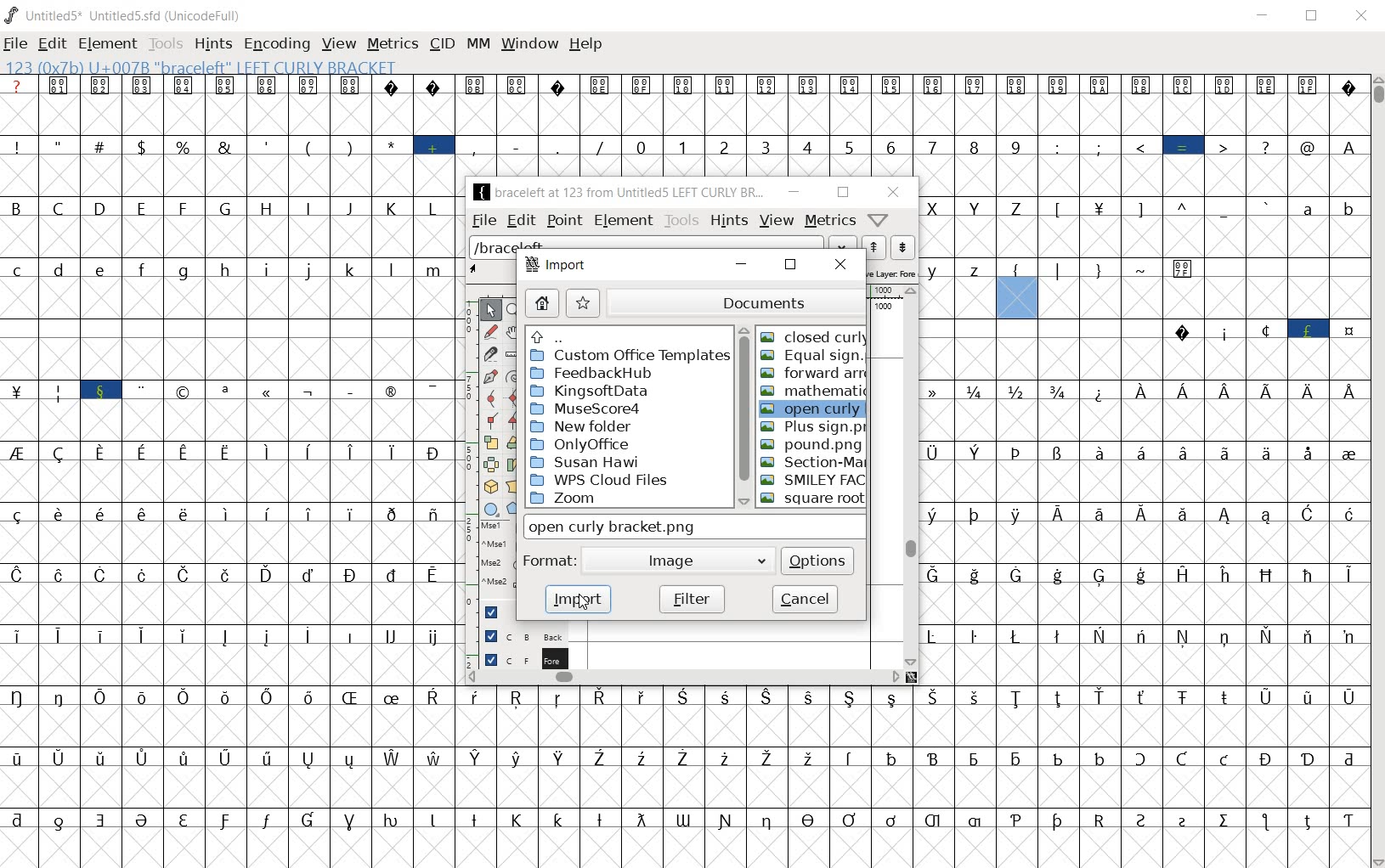  Describe the element at coordinates (513, 421) in the screenshot. I see `Add a corner point` at that location.